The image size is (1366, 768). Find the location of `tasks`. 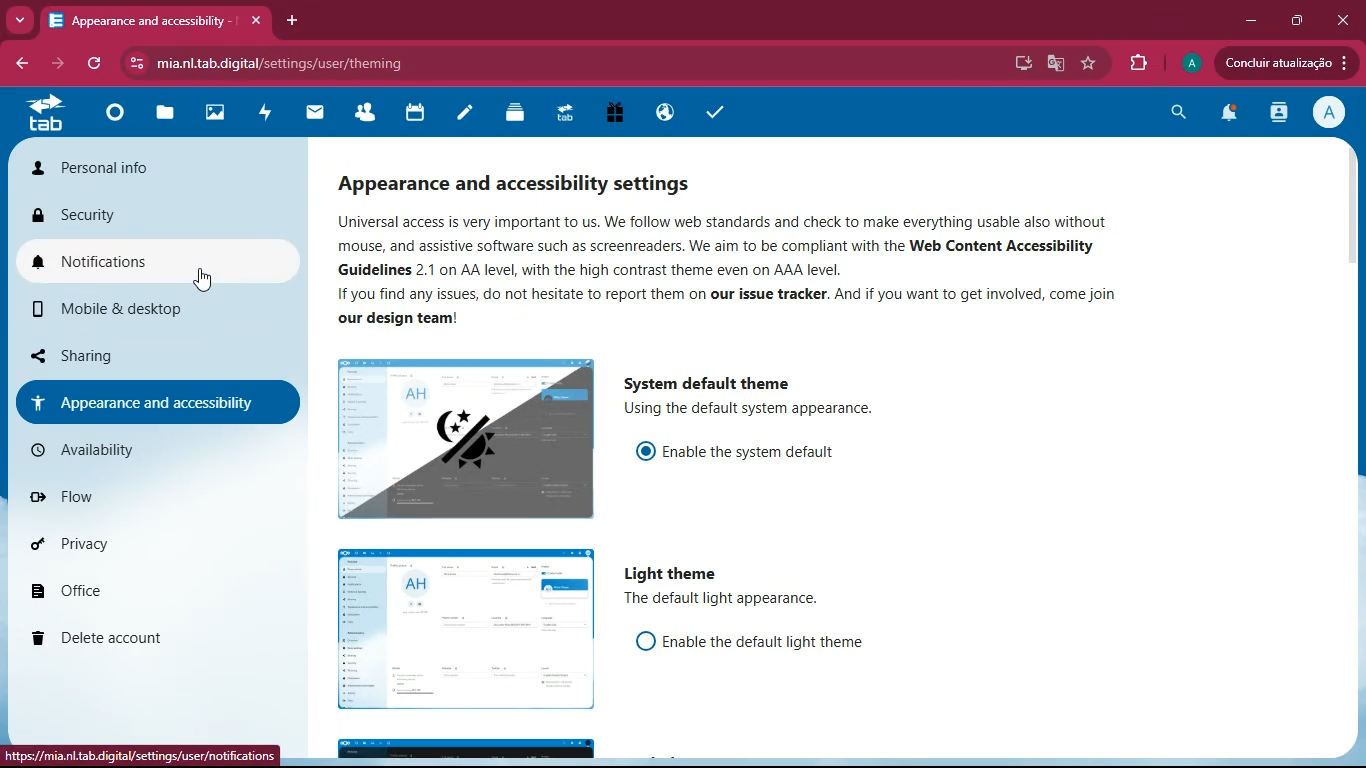

tasks is located at coordinates (718, 114).